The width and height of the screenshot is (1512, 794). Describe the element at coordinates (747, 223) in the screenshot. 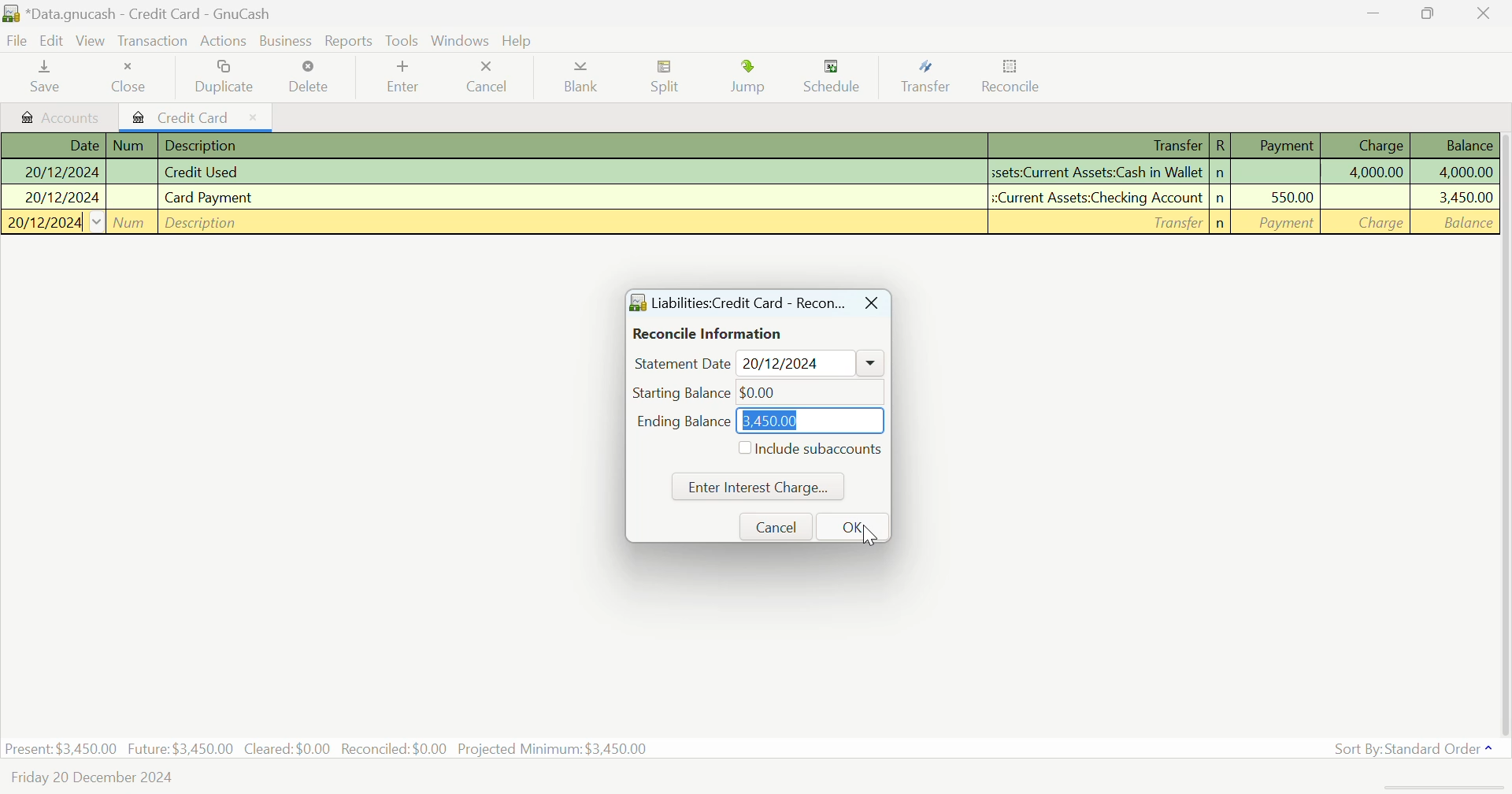

I see `New Transaction Field` at that location.